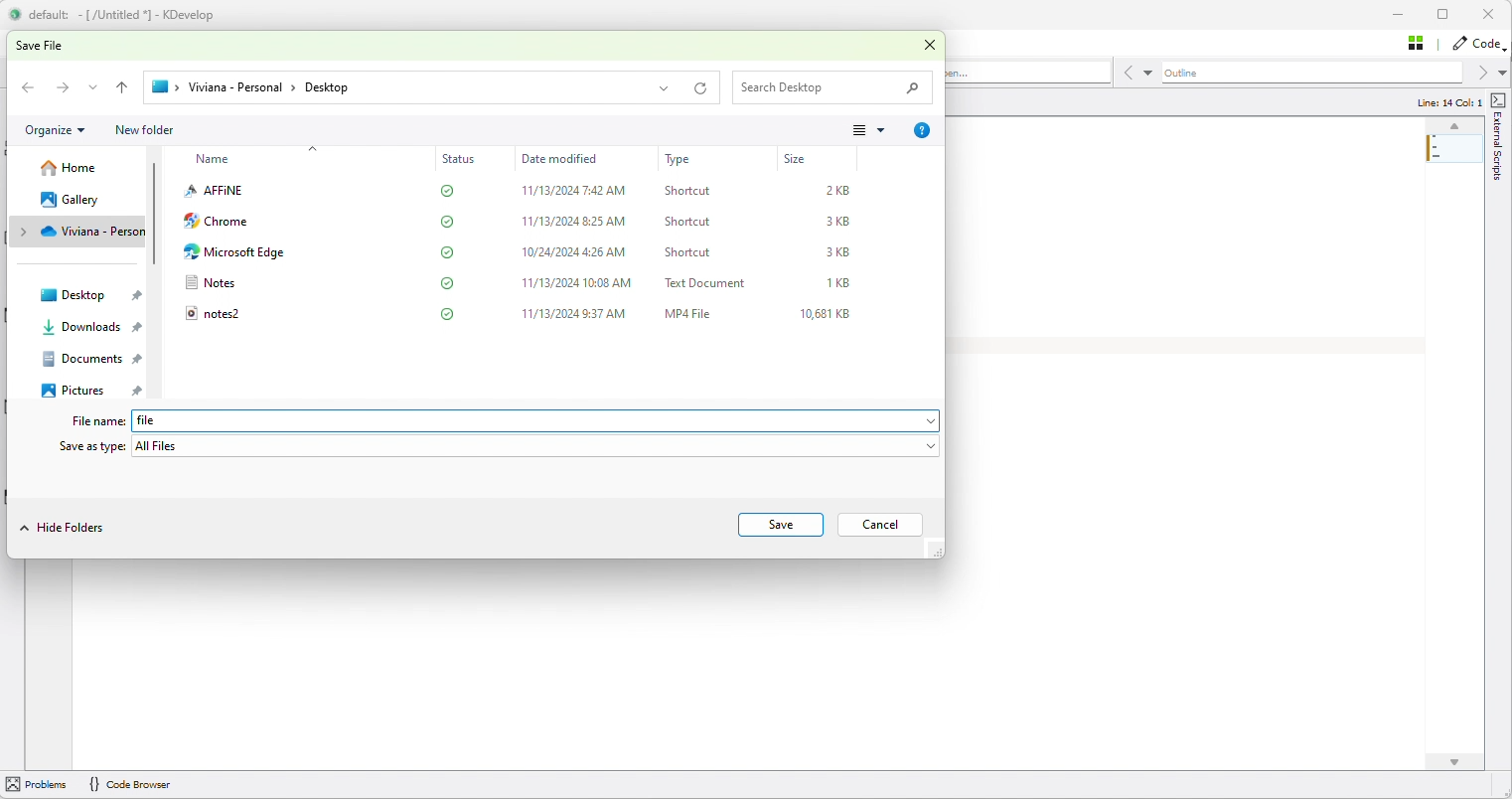 The width and height of the screenshot is (1512, 799). I want to click on Shortcut, so click(690, 252).